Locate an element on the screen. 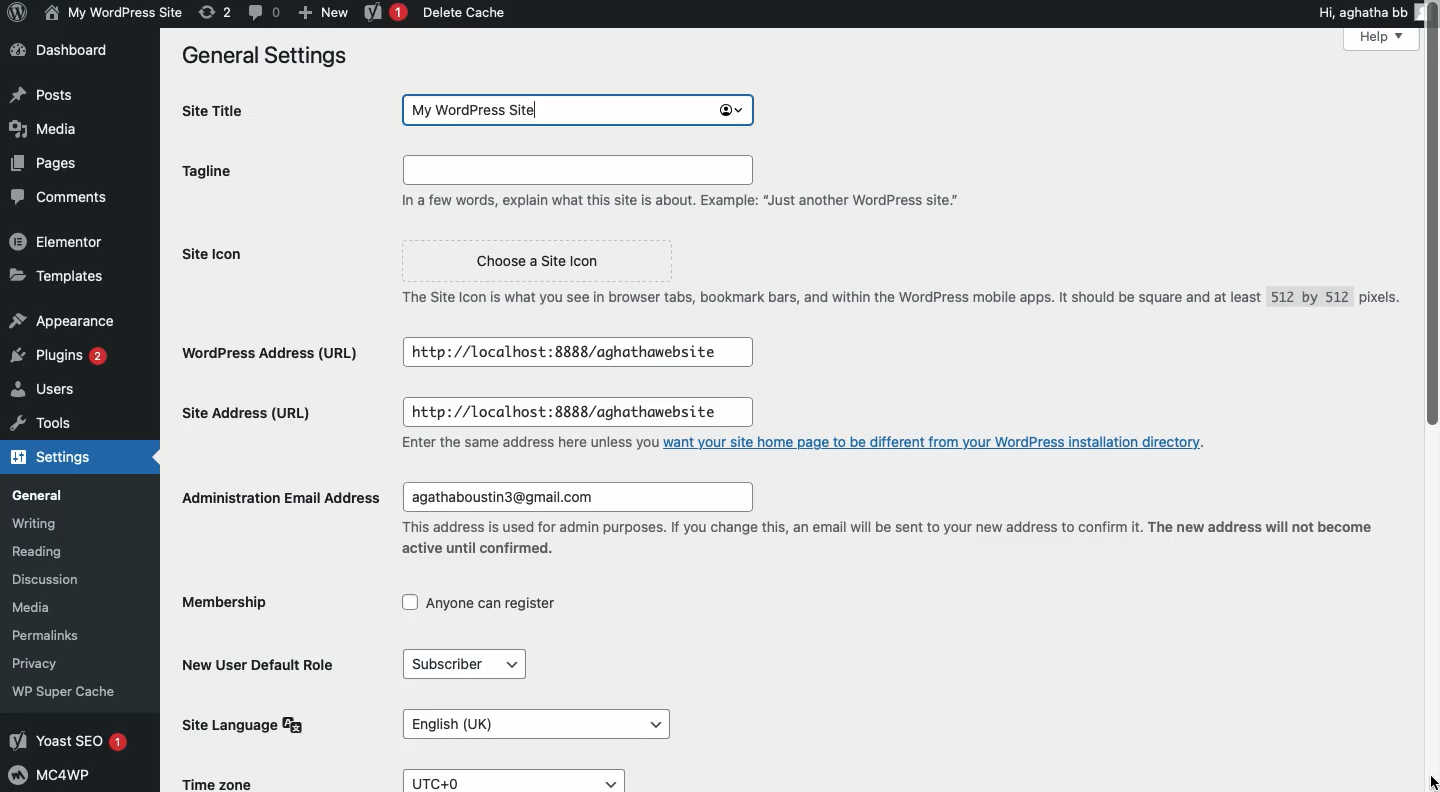 This screenshot has width=1440, height=792. New user default role is located at coordinates (263, 670).